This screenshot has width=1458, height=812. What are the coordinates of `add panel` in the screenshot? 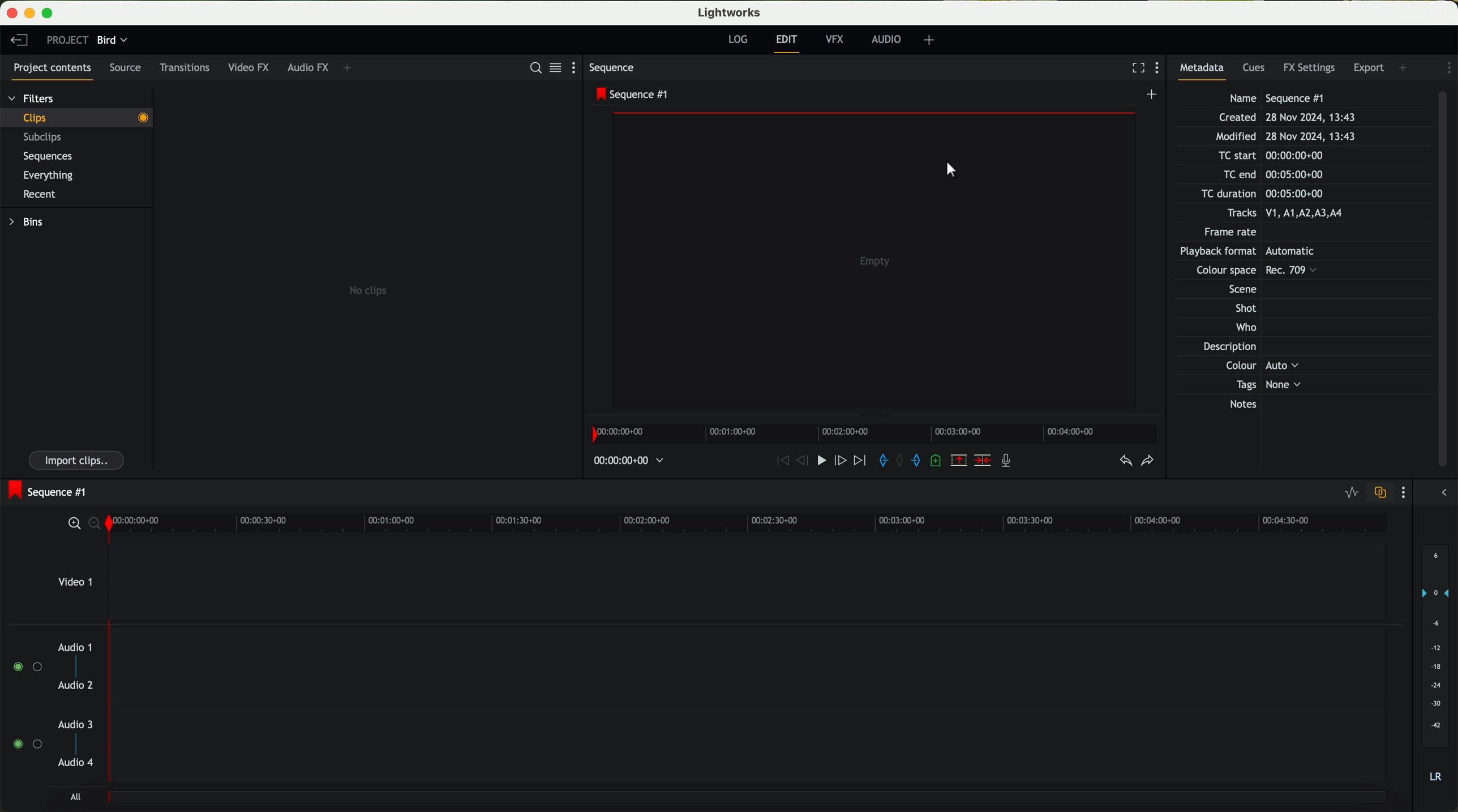 It's located at (1404, 70).